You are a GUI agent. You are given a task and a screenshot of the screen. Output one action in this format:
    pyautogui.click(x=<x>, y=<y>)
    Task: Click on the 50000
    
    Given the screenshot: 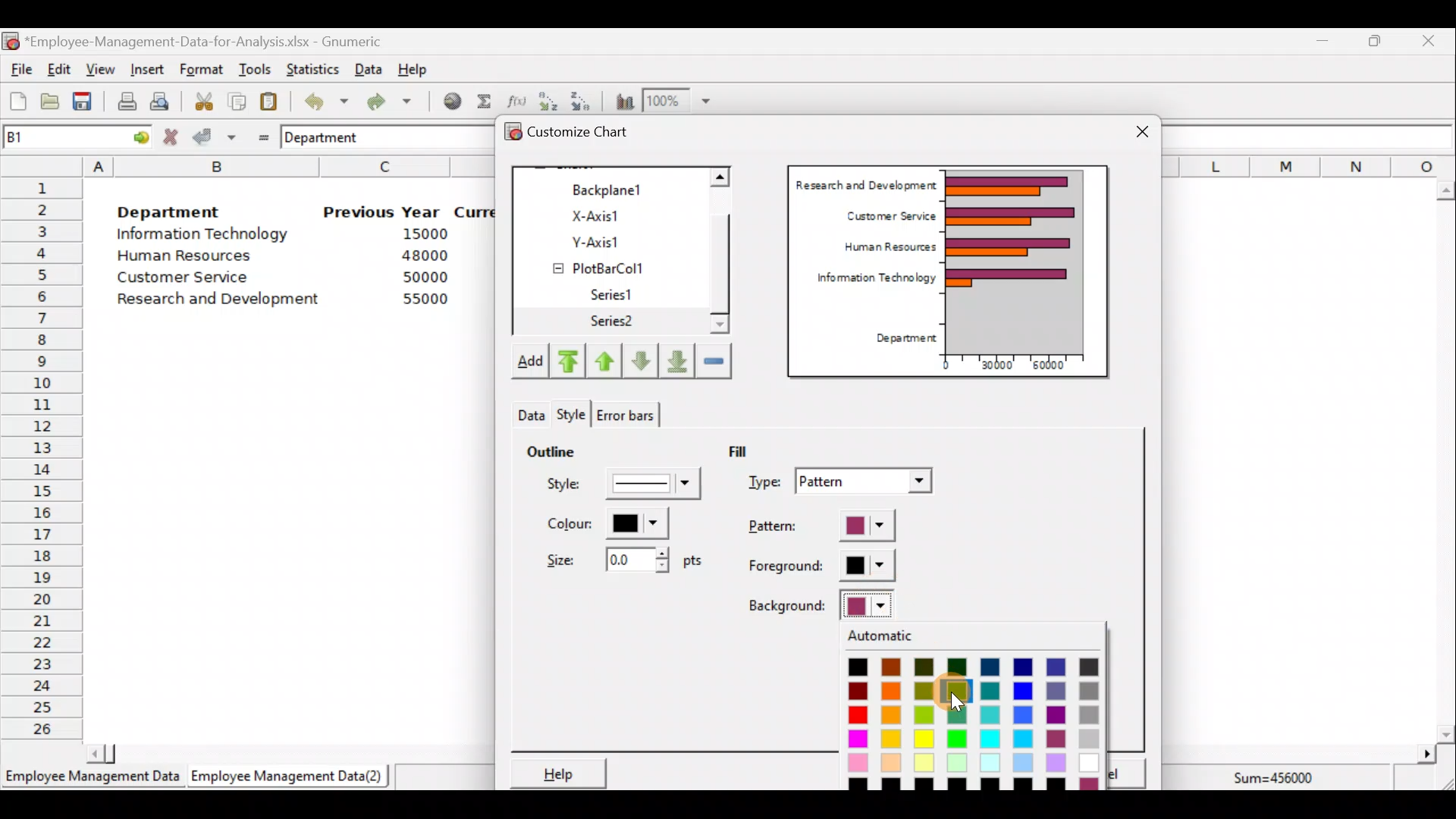 What is the action you would take?
    pyautogui.click(x=429, y=277)
    